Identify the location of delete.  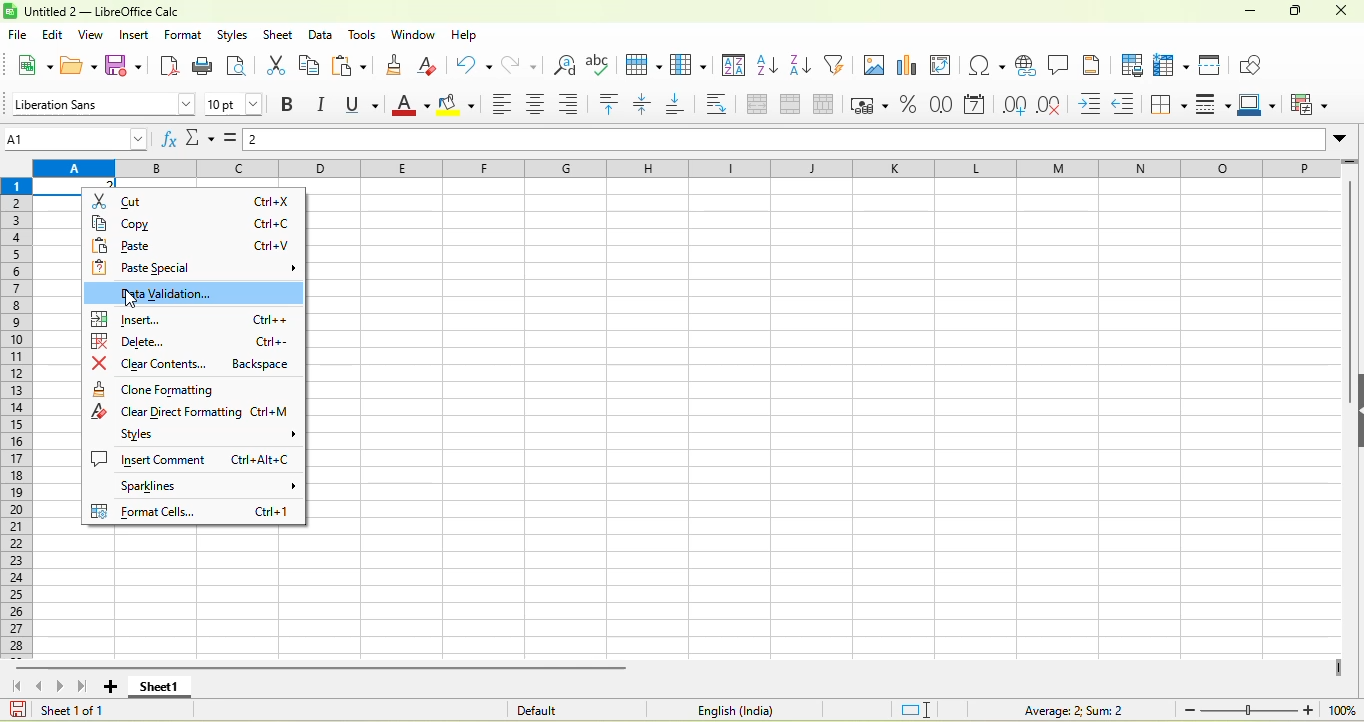
(191, 344).